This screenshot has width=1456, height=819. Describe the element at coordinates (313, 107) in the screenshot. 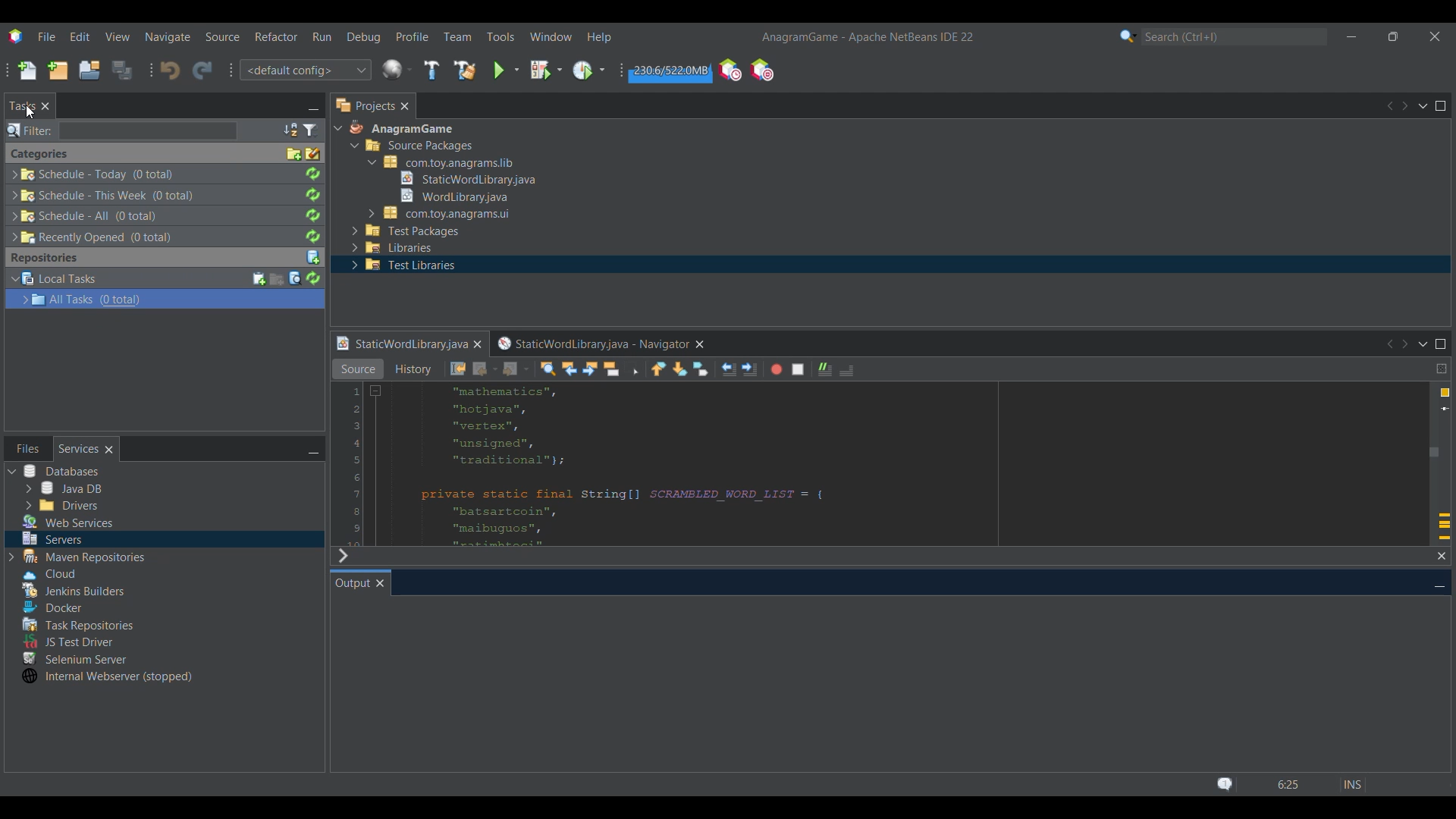

I see `Minimize` at that location.